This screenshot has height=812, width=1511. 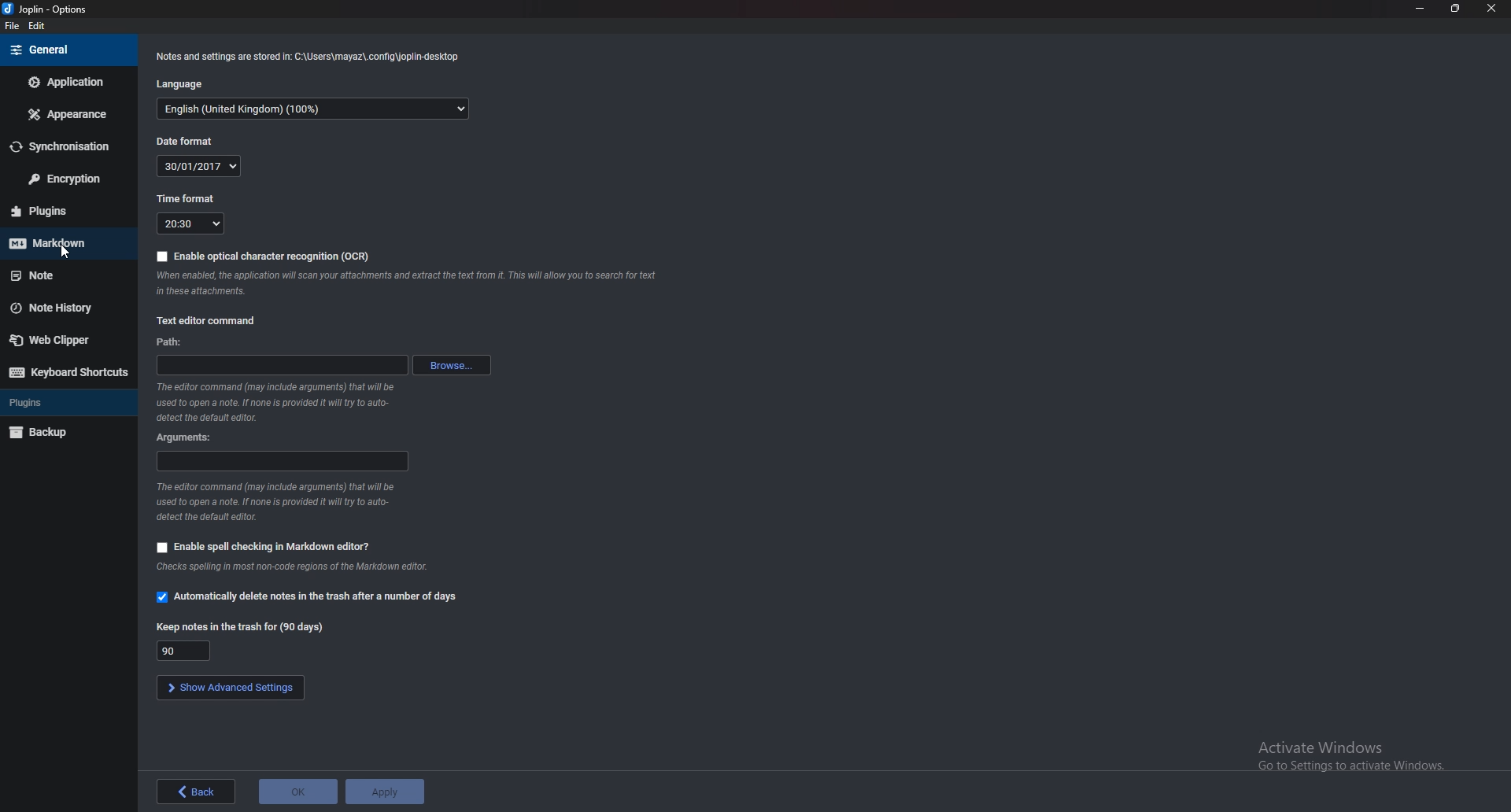 What do you see at coordinates (72, 82) in the screenshot?
I see `Application` at bounding box center [72, 82].